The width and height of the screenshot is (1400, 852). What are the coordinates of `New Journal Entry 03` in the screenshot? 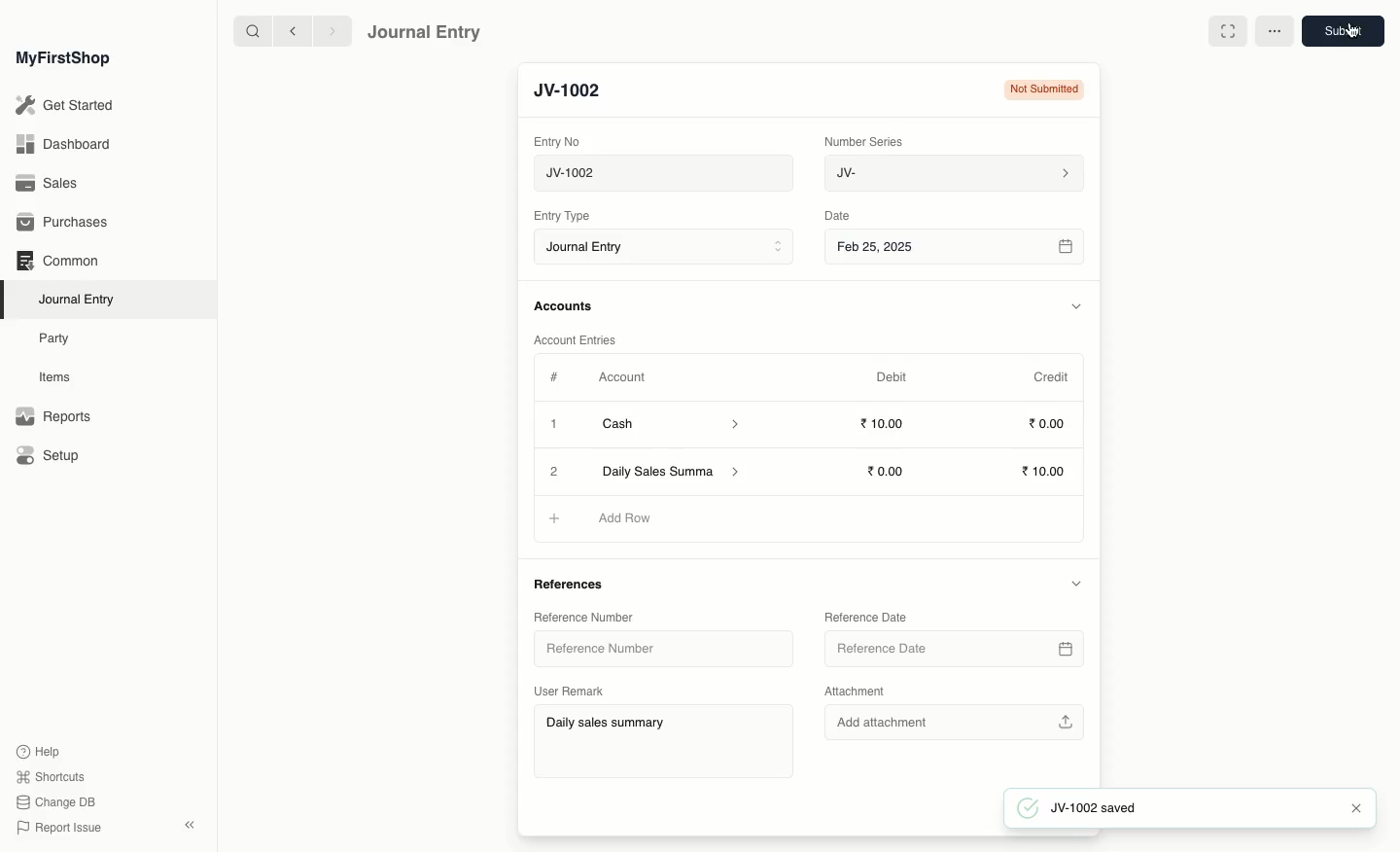 It's located at (669, 174).